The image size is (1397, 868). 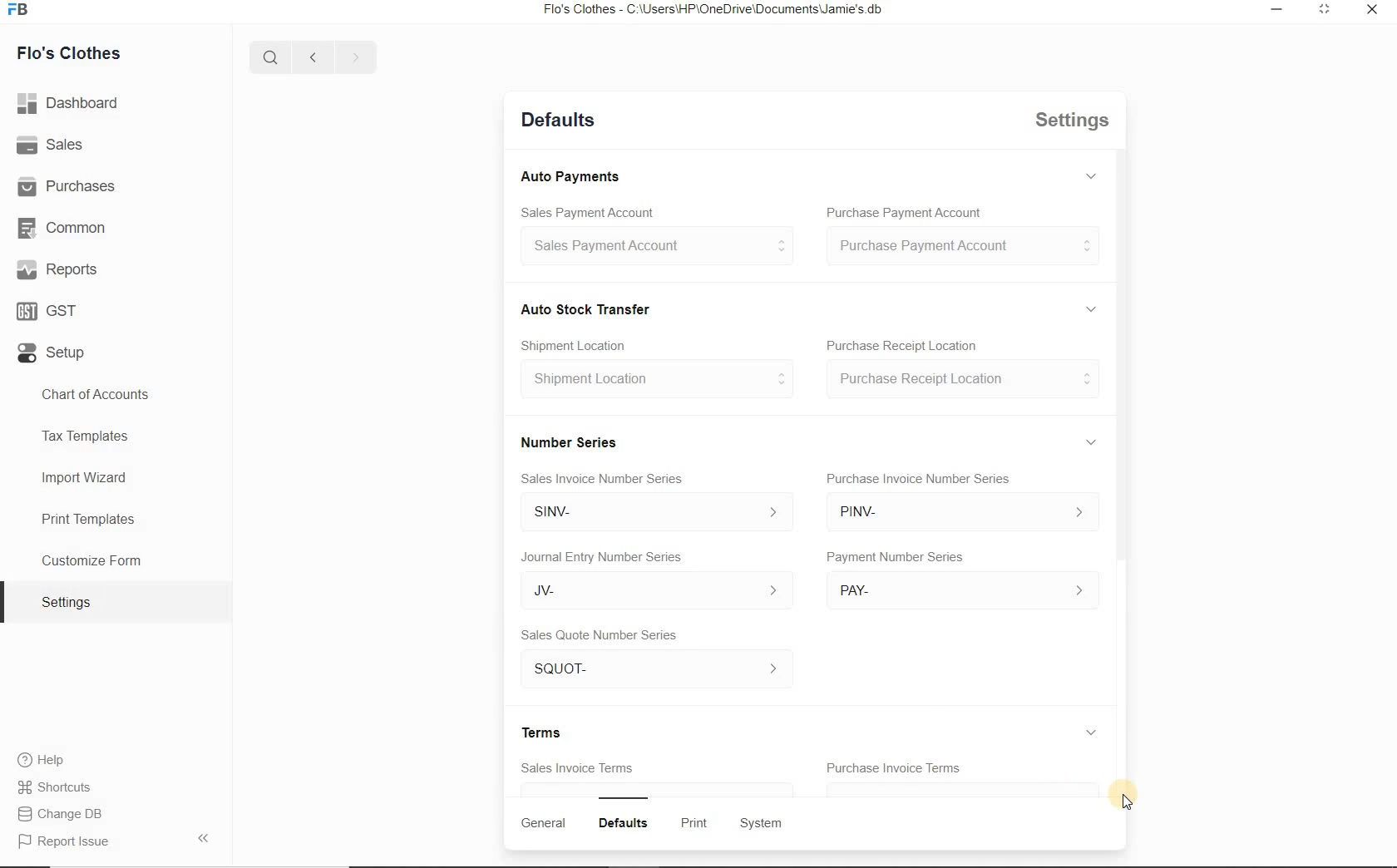 I want to click on Sales Payment Account, so click(x=601, y=245).